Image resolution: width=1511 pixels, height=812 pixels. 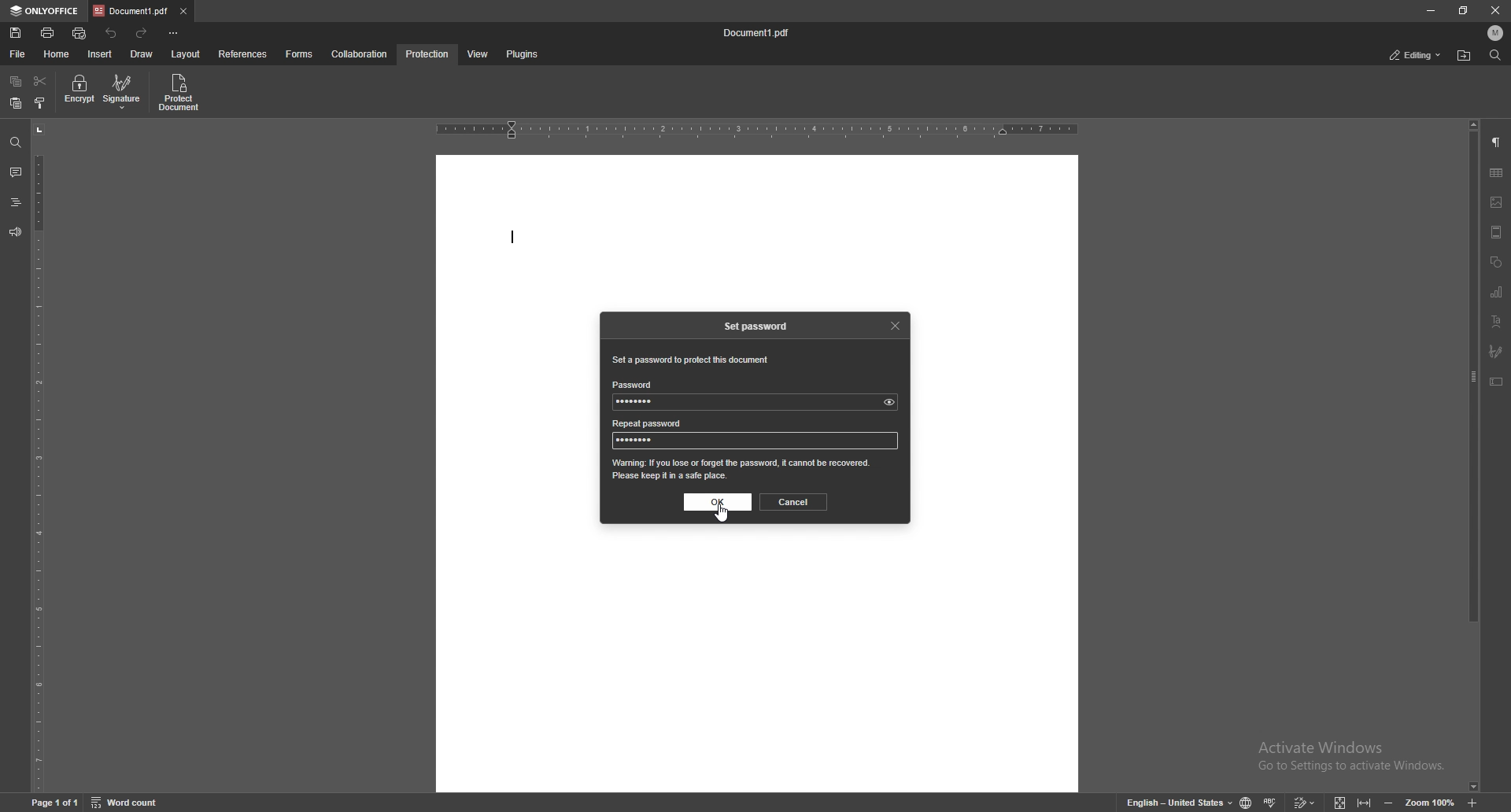 What do you see at coordinates (756, 129) in the screenshot?
I see `horizontal scale` at bounding box center [756, 129].